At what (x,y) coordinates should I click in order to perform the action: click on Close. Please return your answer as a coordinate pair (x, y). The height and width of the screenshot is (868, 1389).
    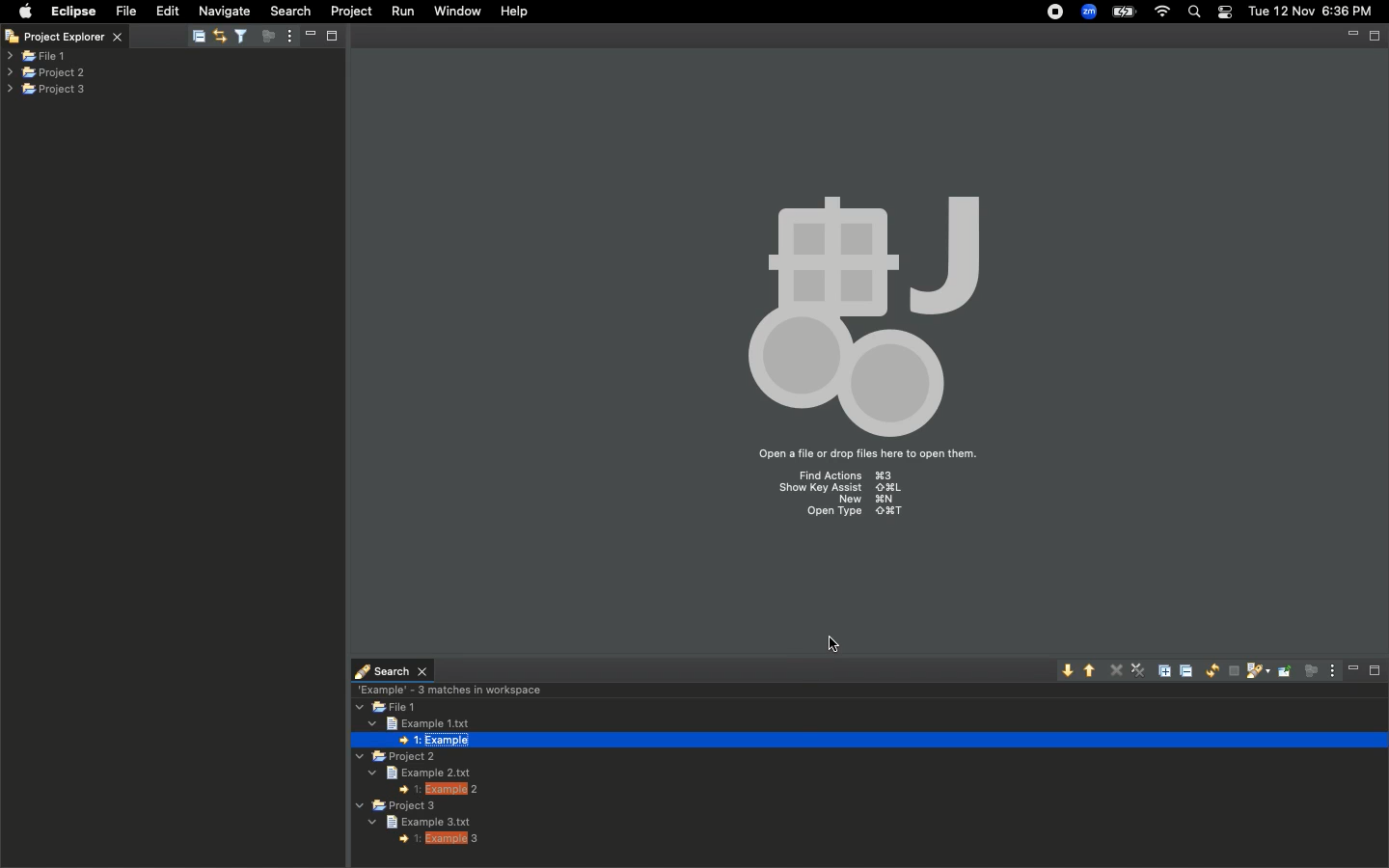
    Looking at the image, I should click on (12, 39).